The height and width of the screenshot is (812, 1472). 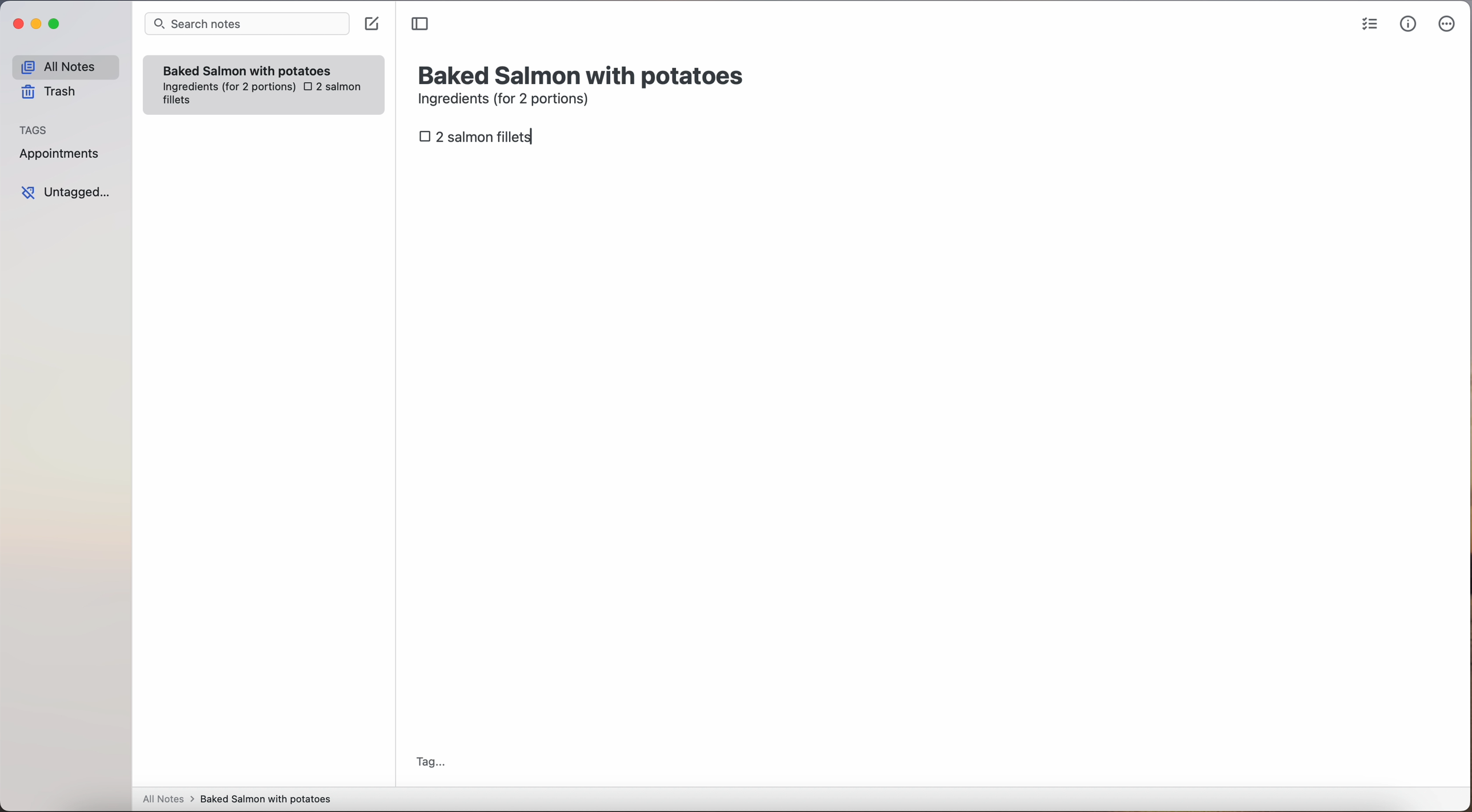 What do you see at coordinates (67, 192) in the screenshot?
I see `untagged` at bounding box center [67, 192].